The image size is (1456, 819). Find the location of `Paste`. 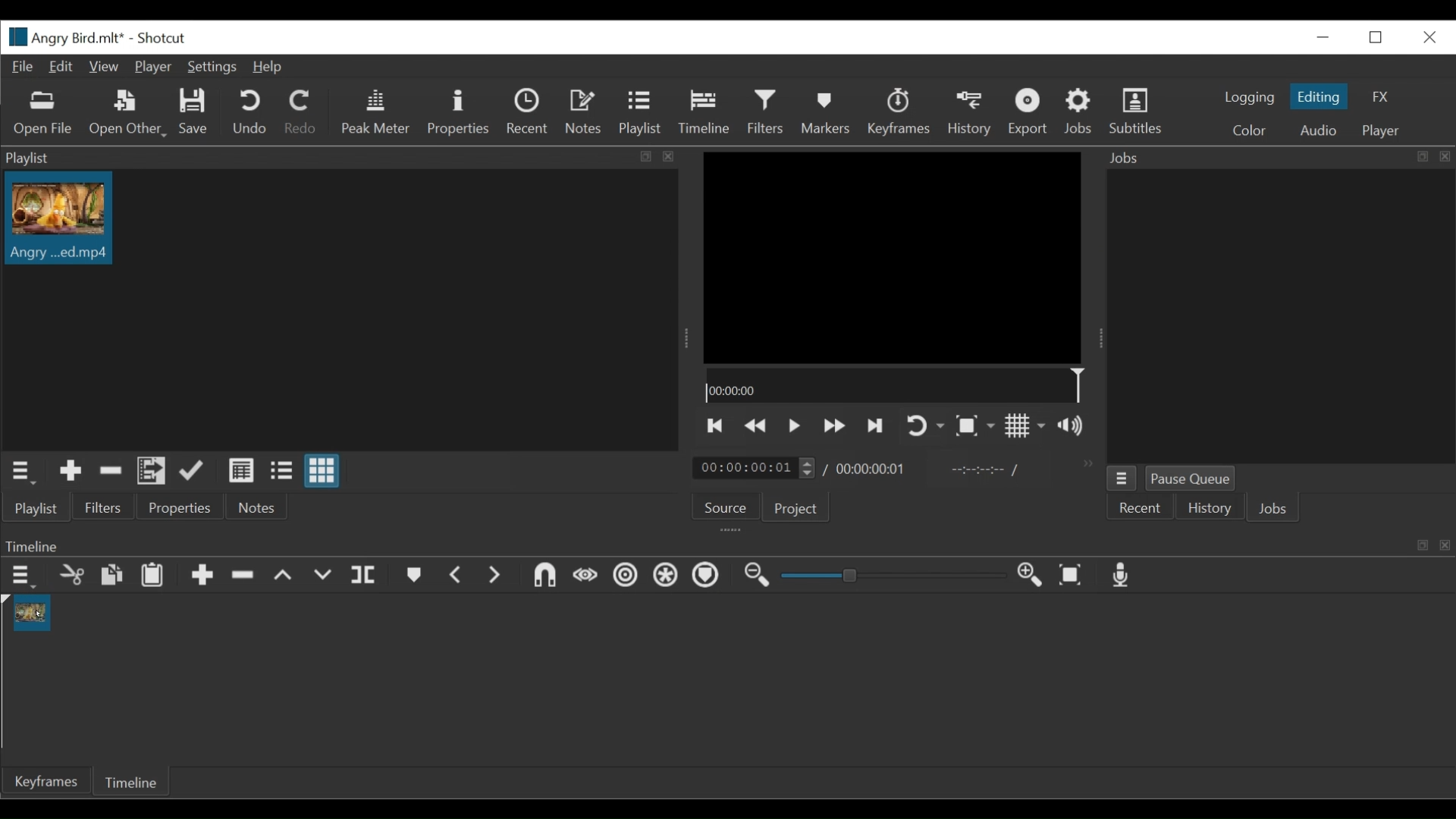

Paste is located at coordinates (155, 577).